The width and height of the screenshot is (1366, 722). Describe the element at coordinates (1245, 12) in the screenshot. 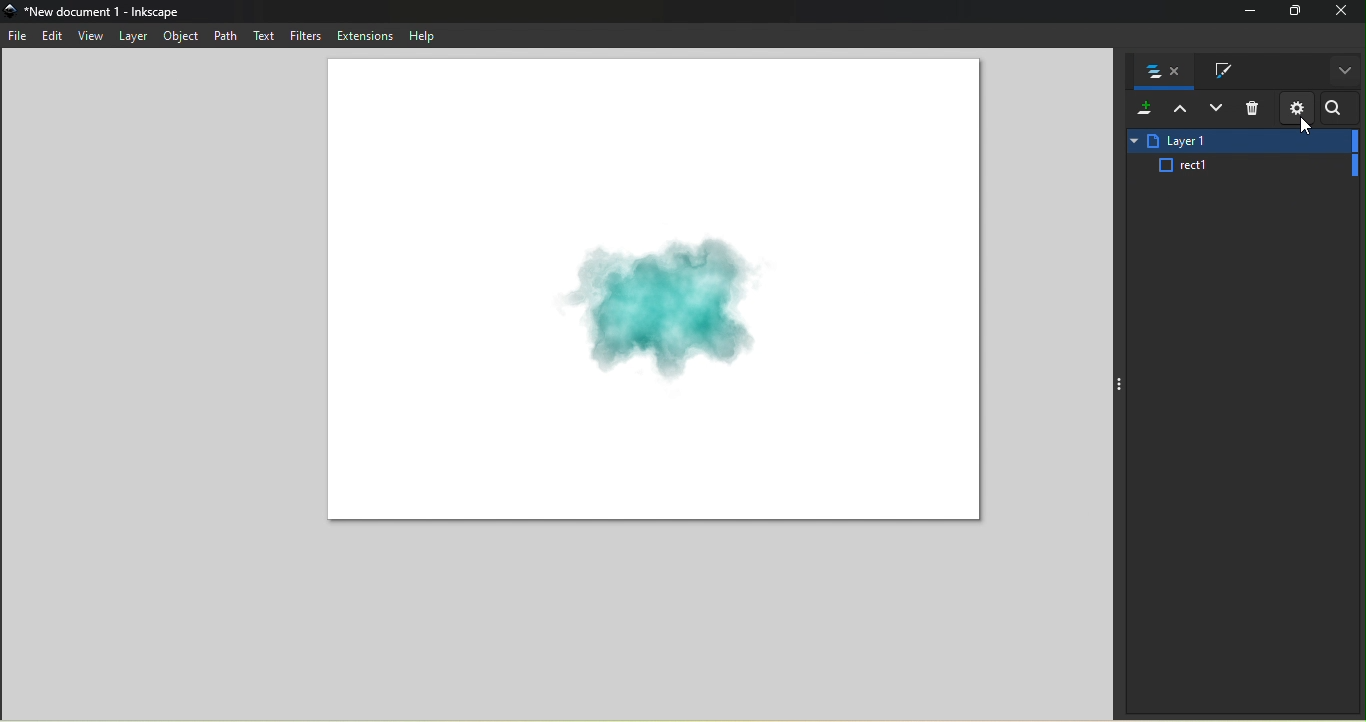

I see `Minimize` at that location.